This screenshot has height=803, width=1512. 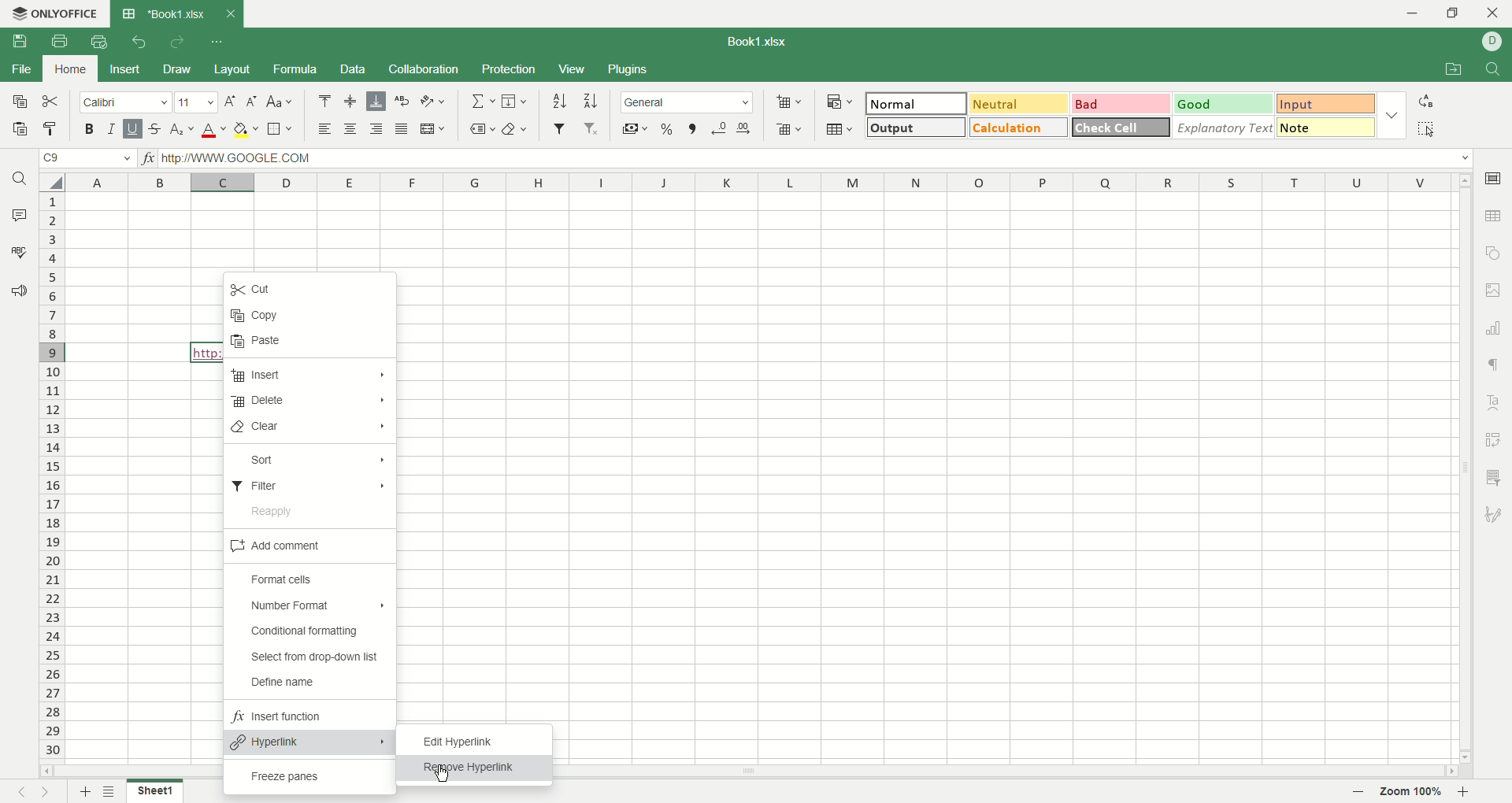 I want to click on collaboration, so click(x=425, y=68).